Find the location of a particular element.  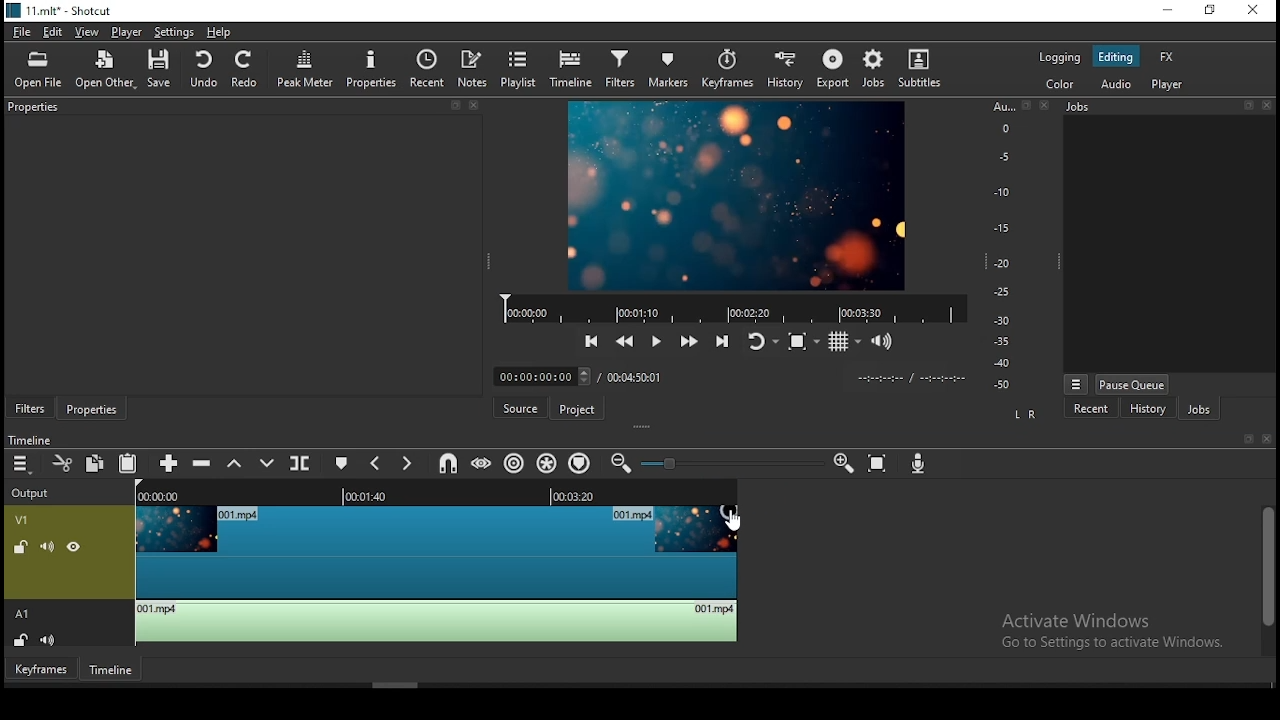

restore is located at coordinates (1210, 11).